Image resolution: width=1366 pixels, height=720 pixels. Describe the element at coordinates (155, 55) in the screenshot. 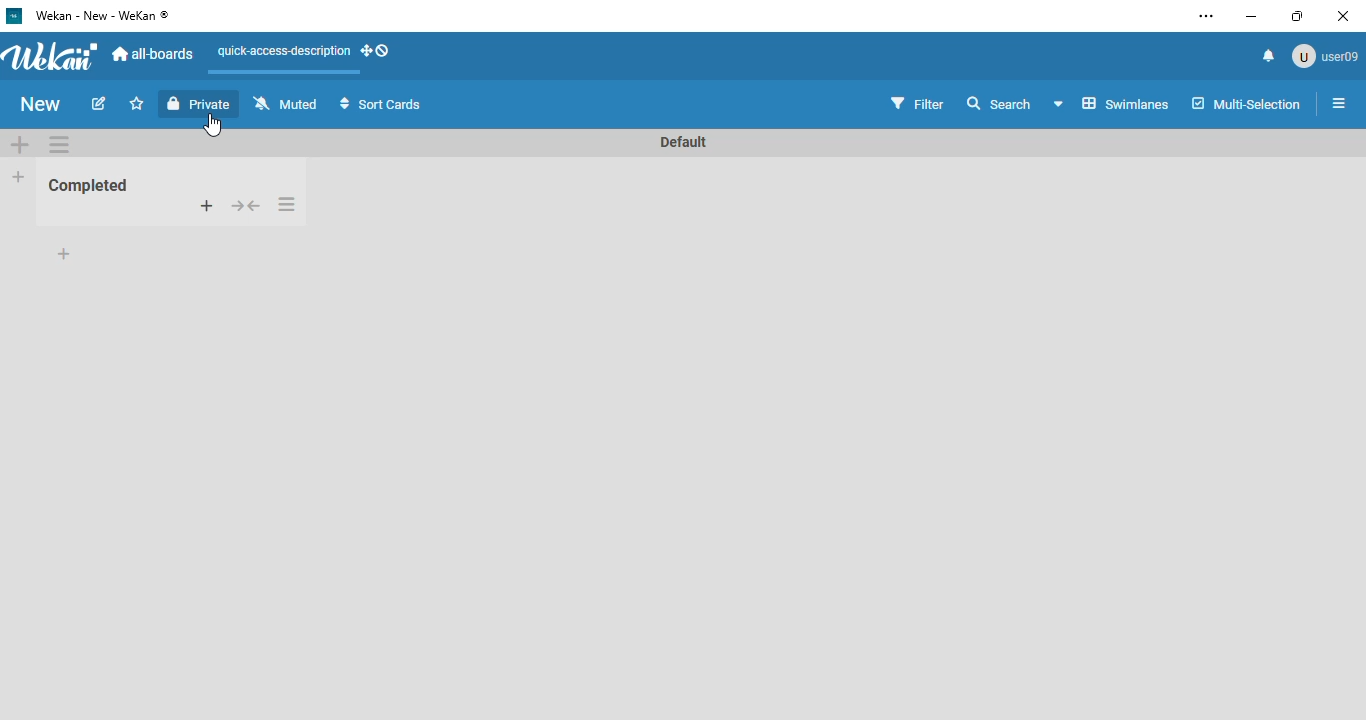

I see `all-boards` at that location.